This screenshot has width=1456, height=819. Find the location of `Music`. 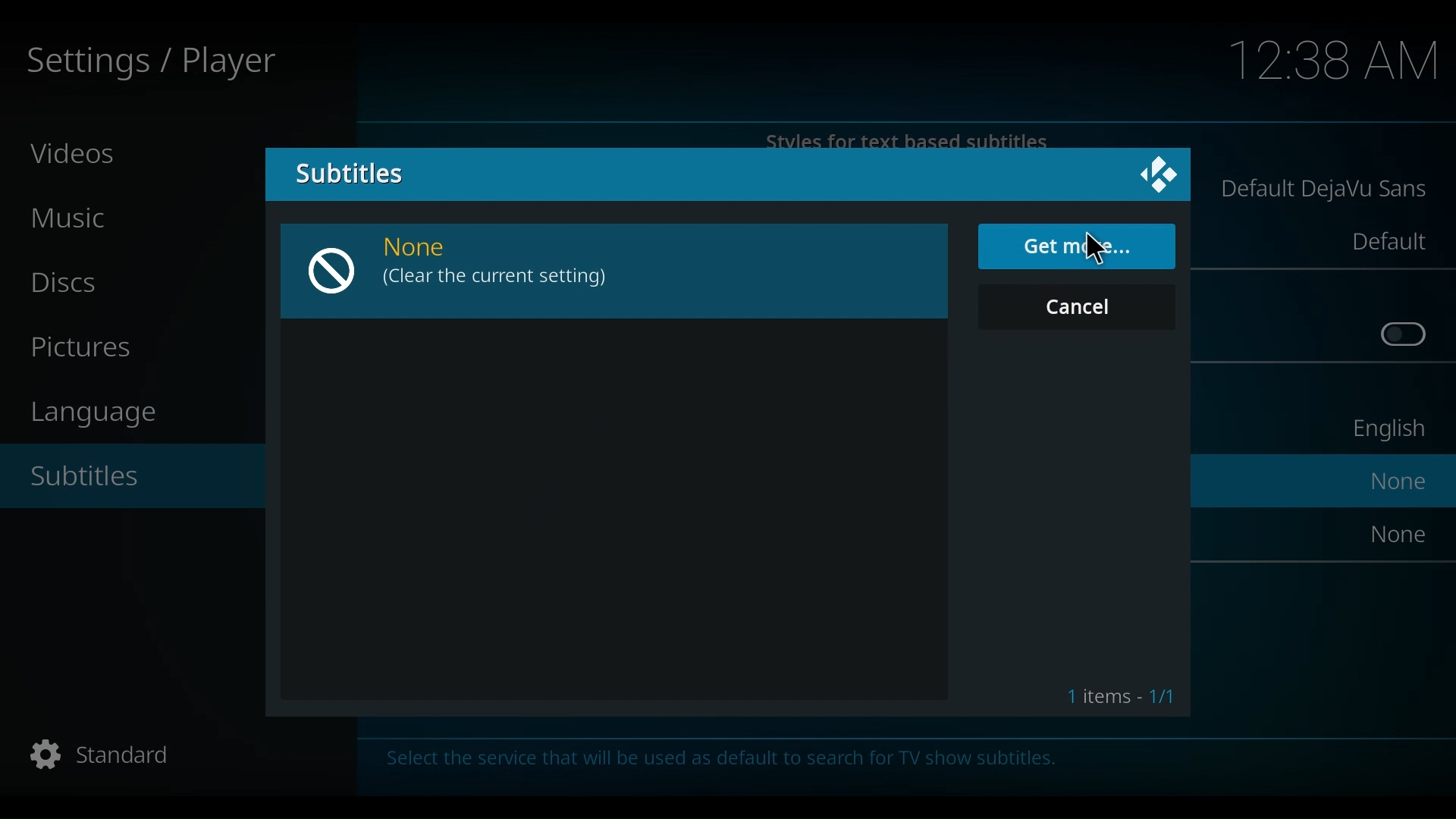

Music is located at coordinates (76, 219).